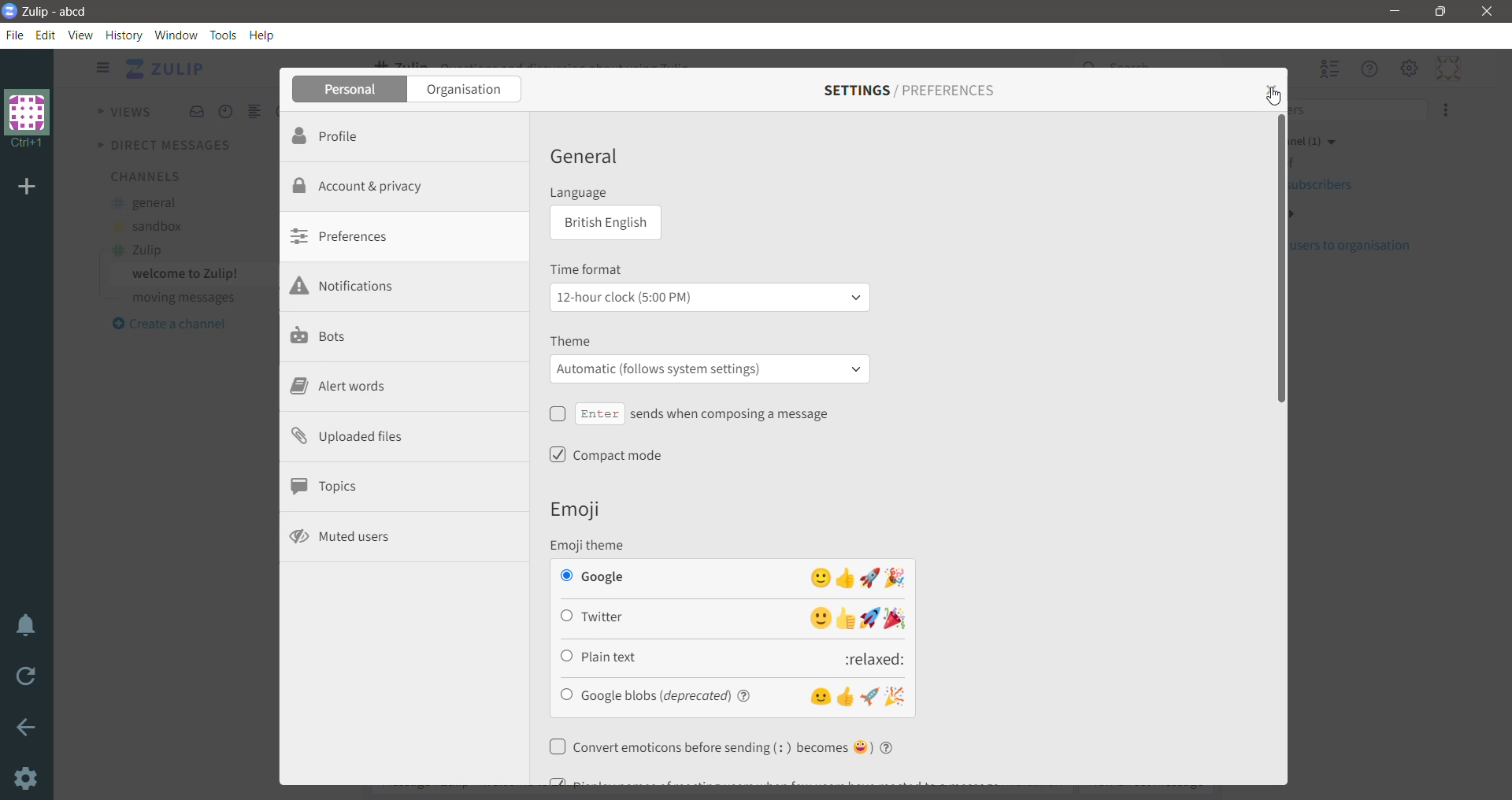  Describe the element at coordinates (102, 68) in the screenshot. I see `Show/Hide left sidebar` at that location.